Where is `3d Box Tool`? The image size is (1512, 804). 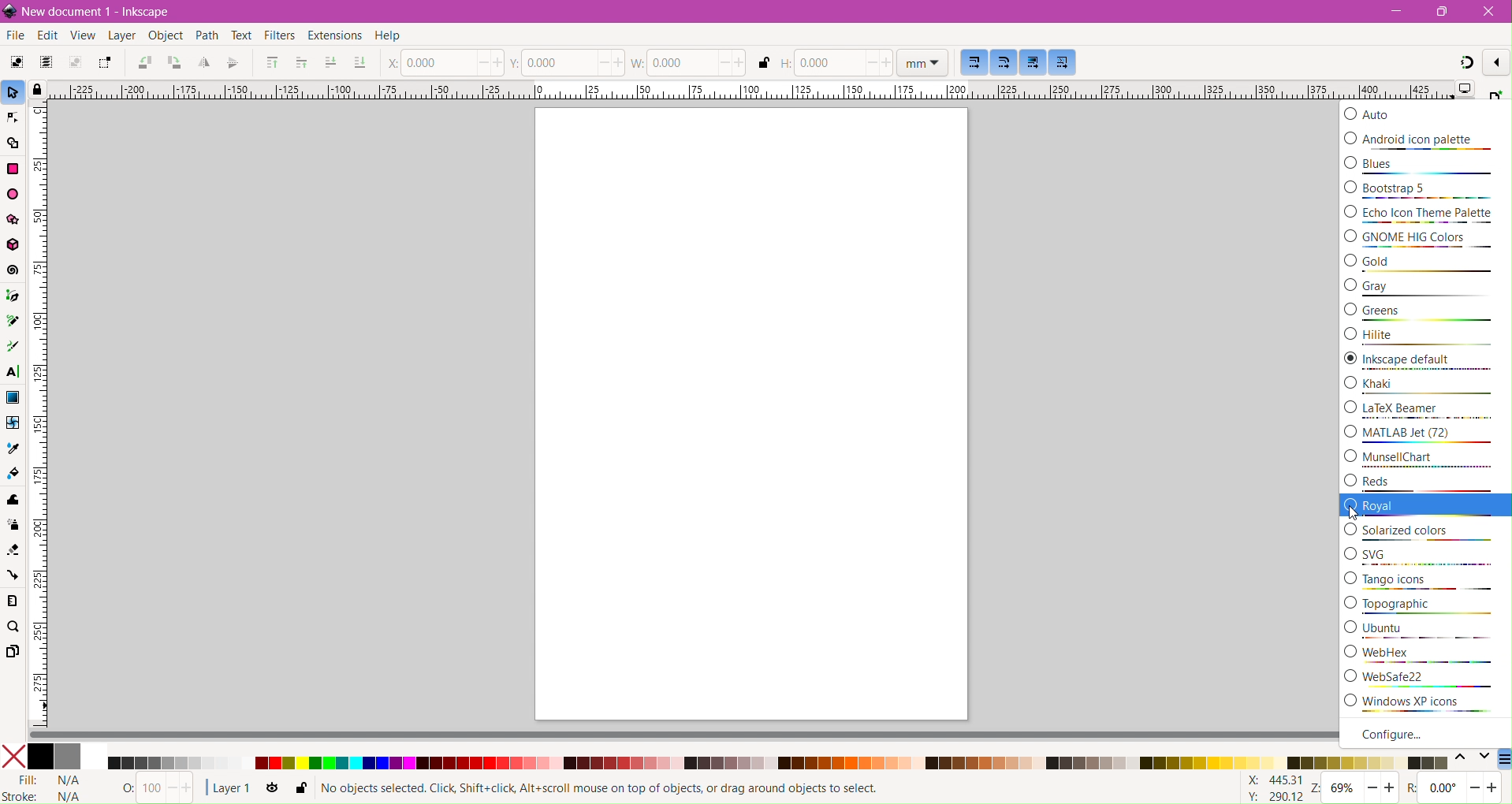 3d Box Tool is located at coordinates (13, 244).